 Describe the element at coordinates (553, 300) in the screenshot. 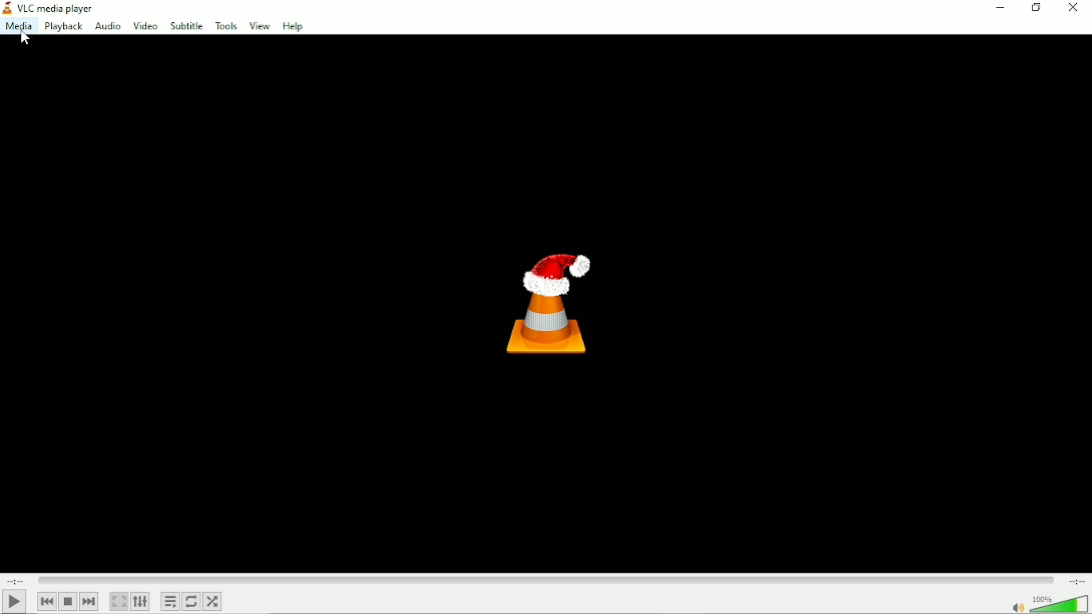

I see `Logo` at that location.